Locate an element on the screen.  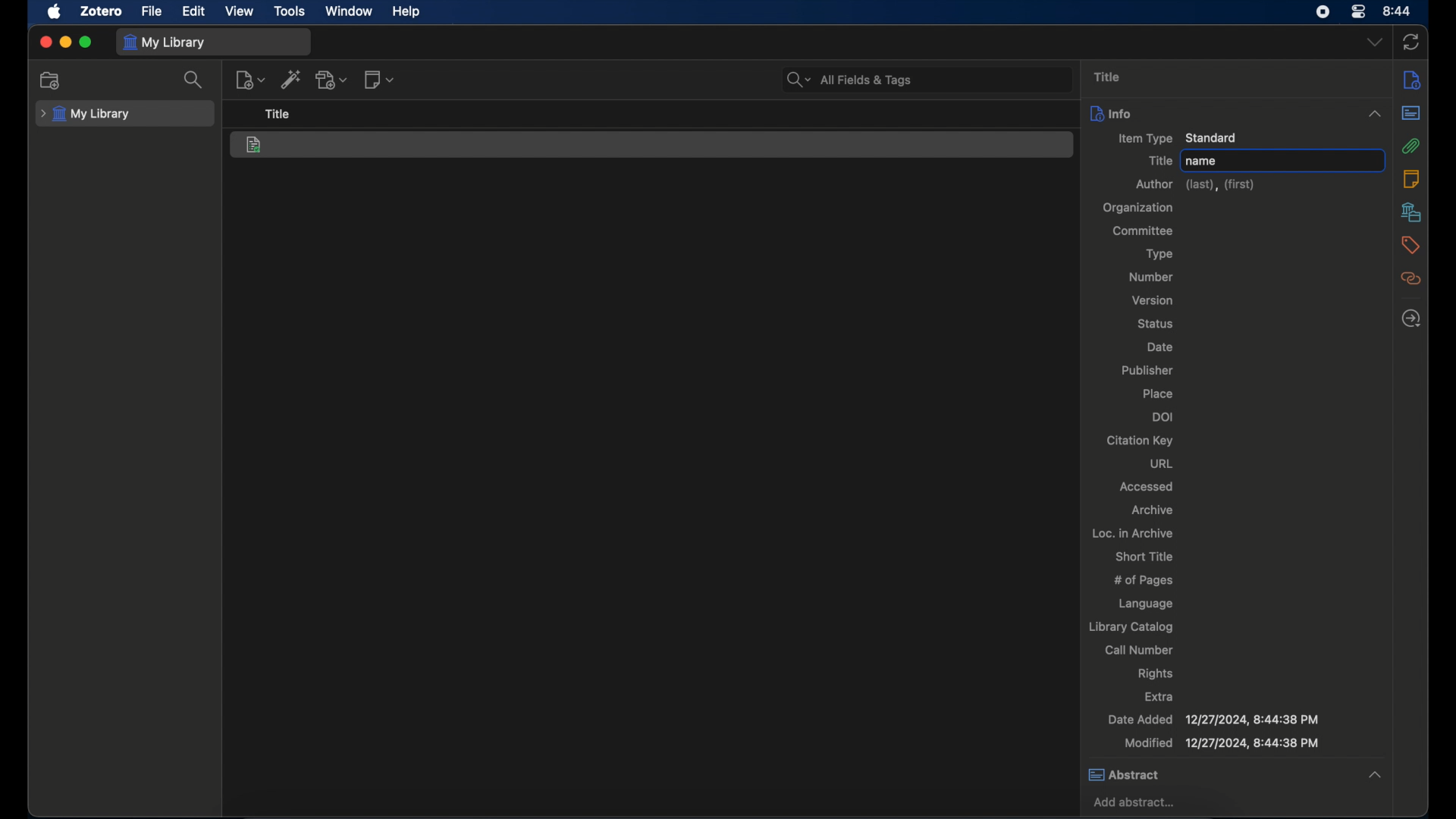
collapse is located at coordinates (1370, 114).